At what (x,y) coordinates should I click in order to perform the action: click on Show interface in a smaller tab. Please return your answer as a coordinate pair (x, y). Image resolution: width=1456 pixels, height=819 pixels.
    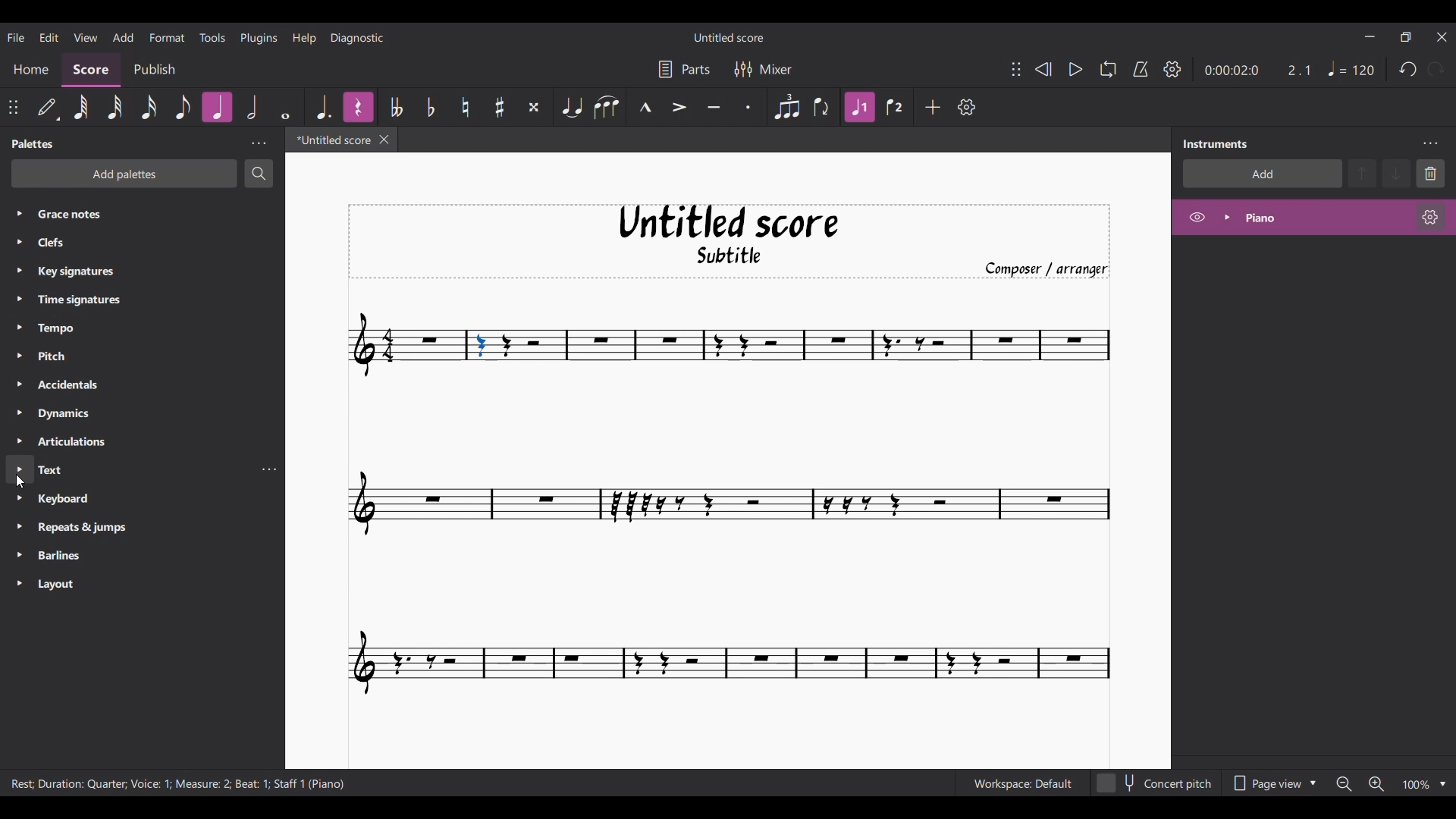
    Looking at the image, I should click on (1406, 37).